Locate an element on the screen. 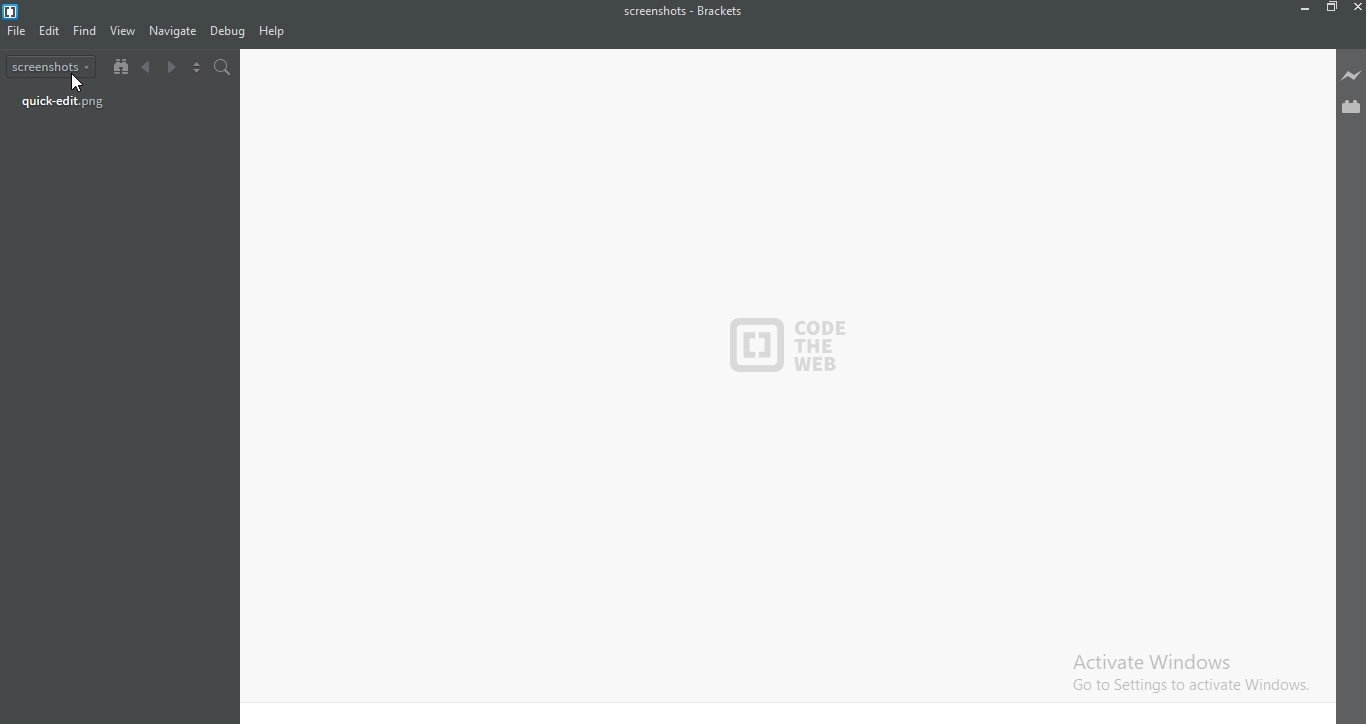 The image size is (1366, 724). cursor is located at coordinates (77, 82).